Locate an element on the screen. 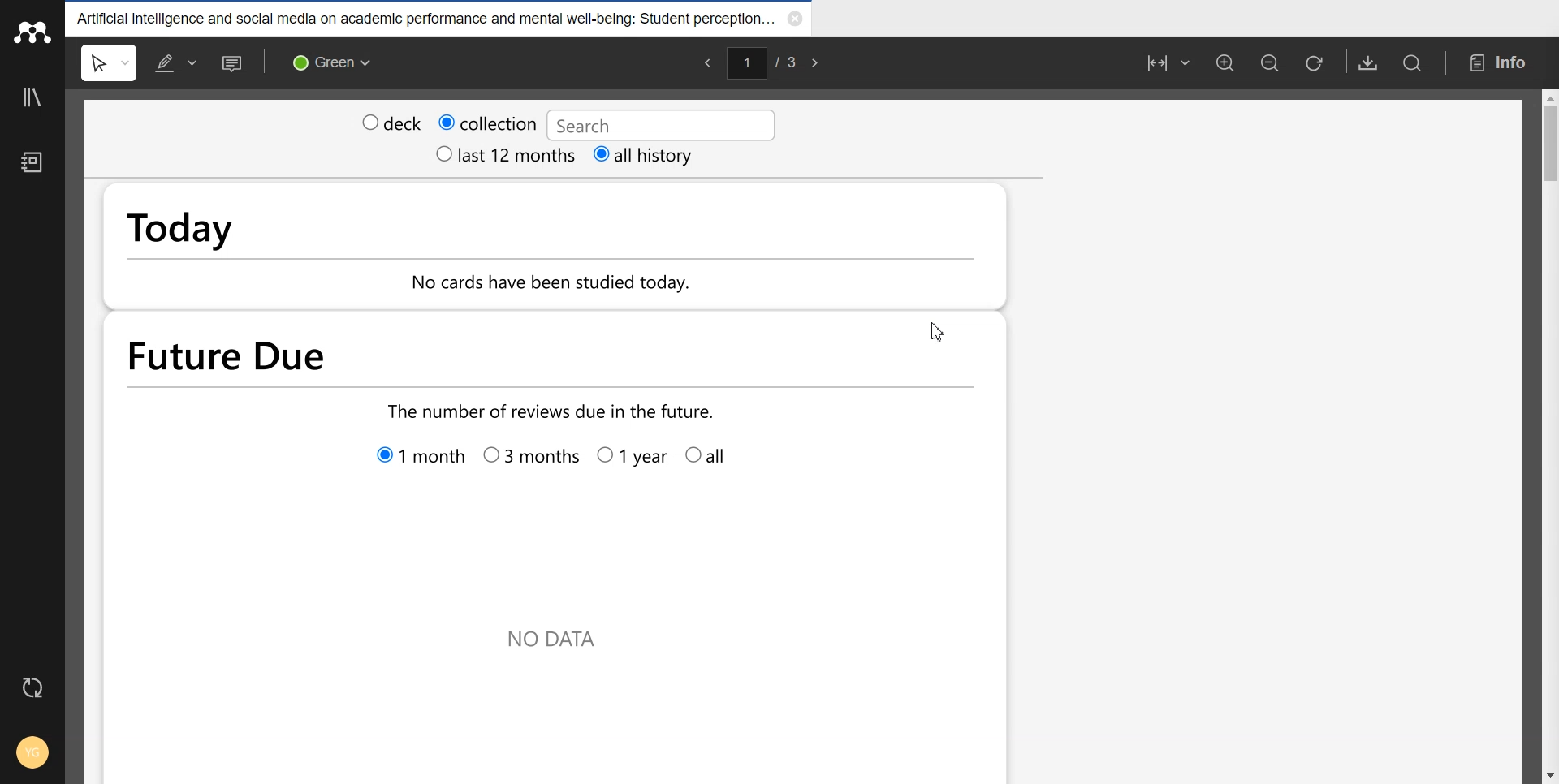  Choose color is located at coordinates (330, 62).